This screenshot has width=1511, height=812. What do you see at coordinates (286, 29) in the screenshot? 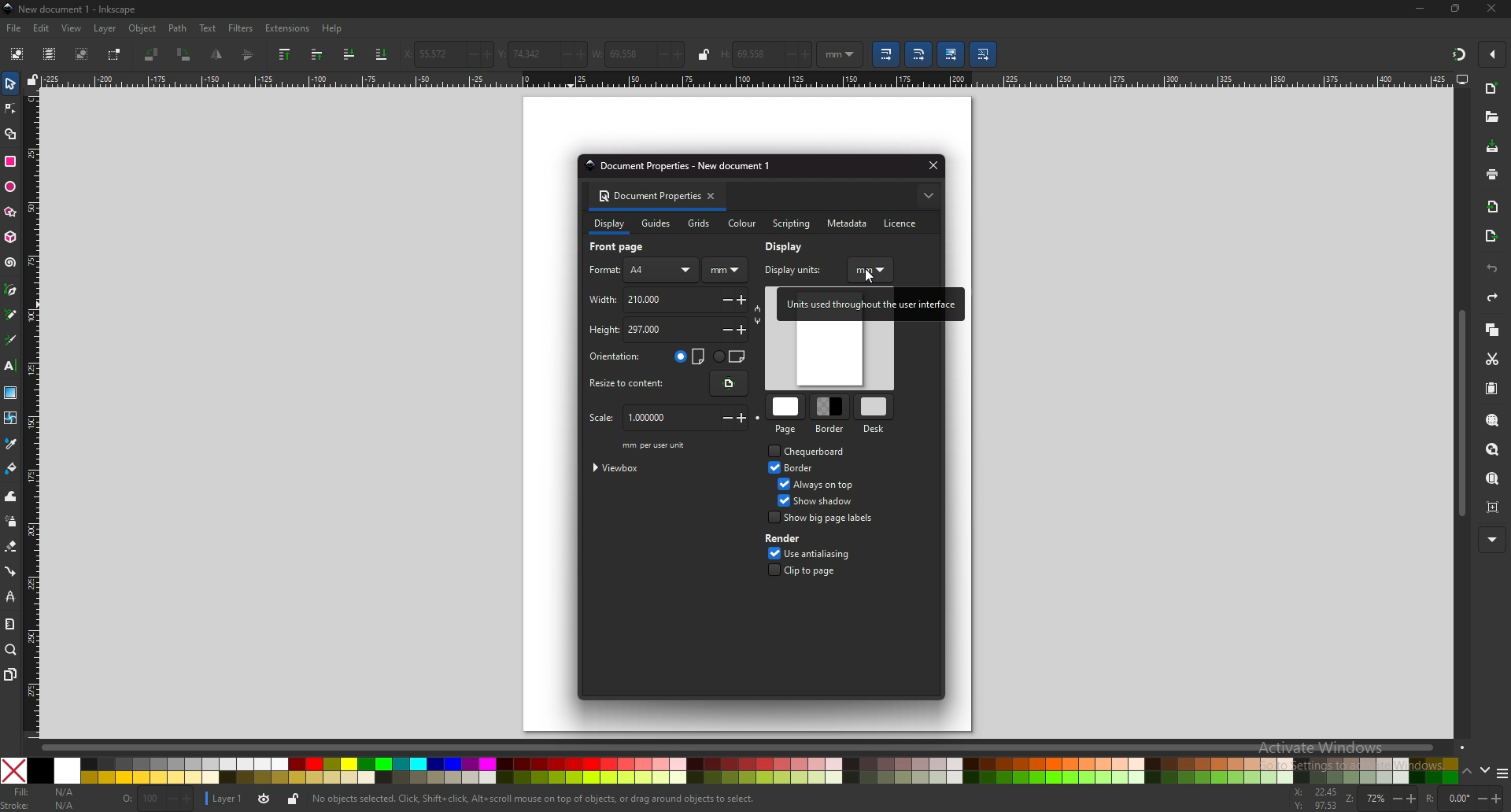
I see `extensions` at bounding box center [286, 29].